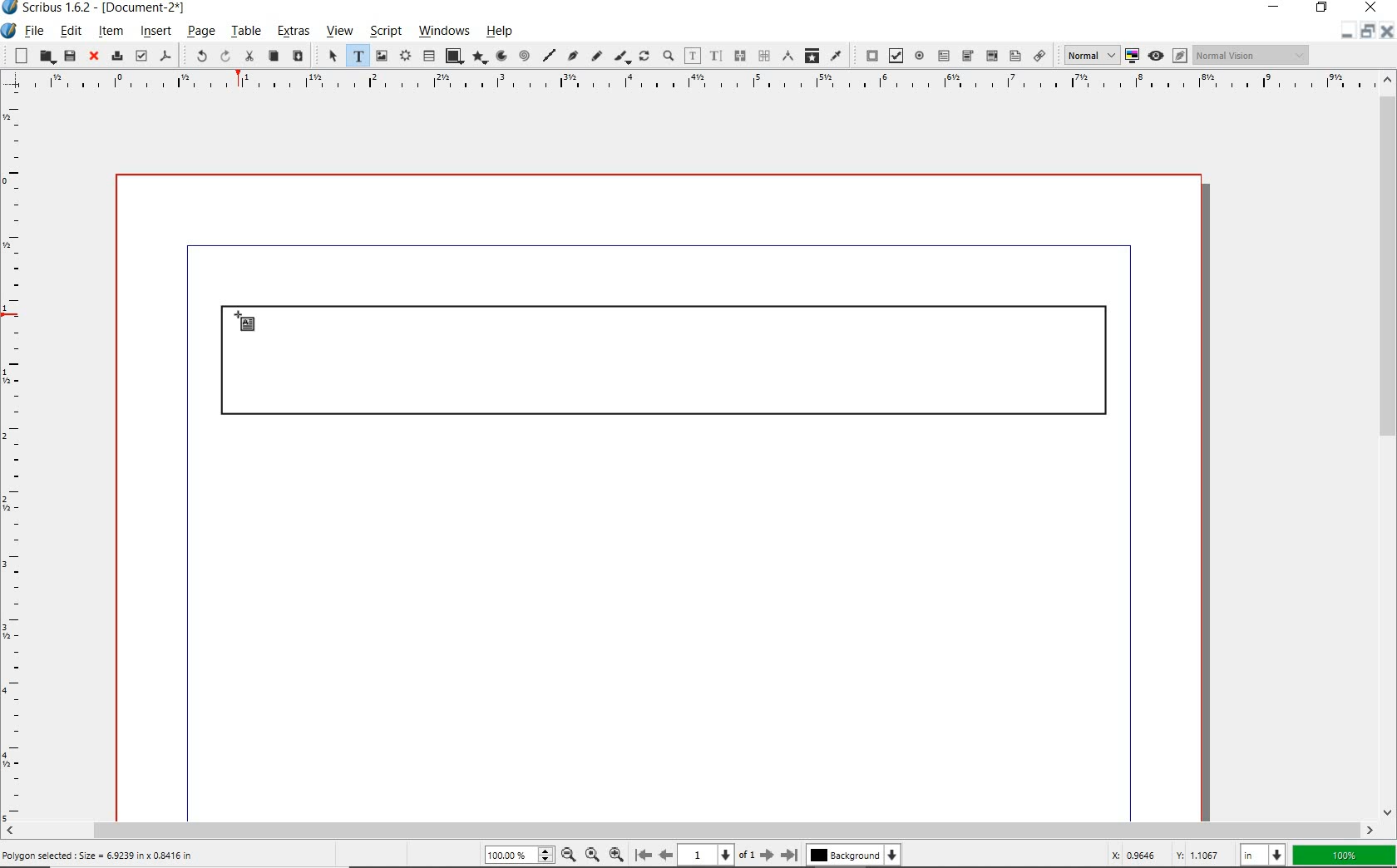  Describe the element at coordinates (690, 829) in the screenshot. I see `scrollbar` at that location.